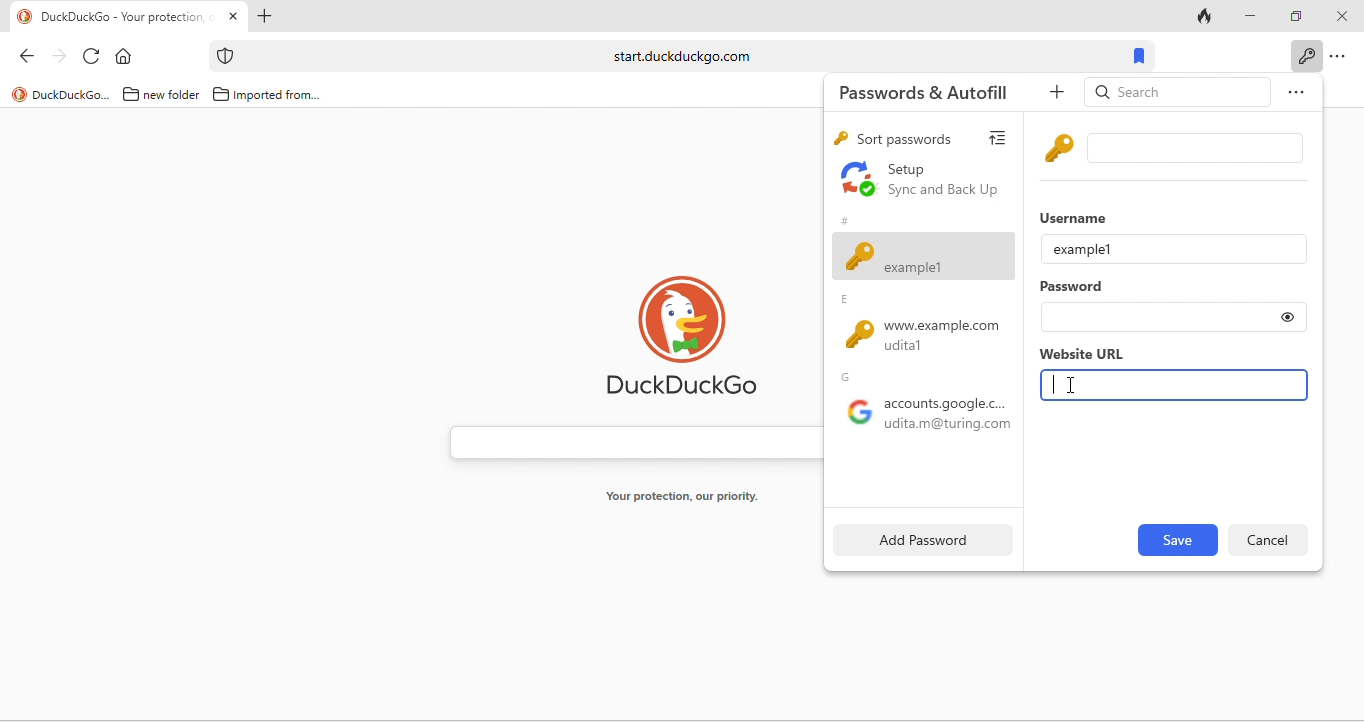  Describe the element at coordinates (1081, 354) in the screenshot. I see `website url` at that location.